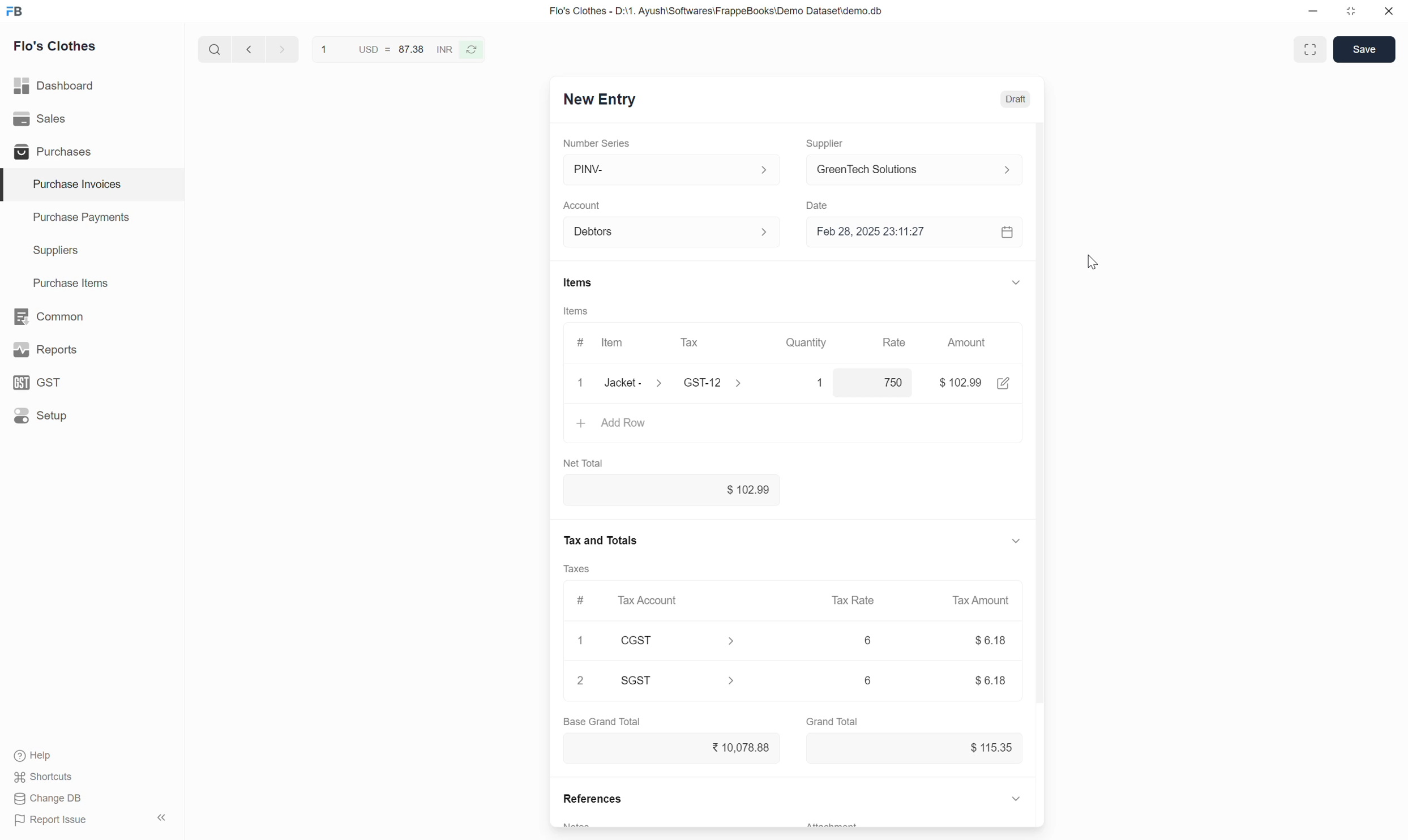 Image resolution: width=1408 pixels, height=840 pixels. Describe the element at coordinates (674, 232) in the screenshot. I see `Debtors` at that location.